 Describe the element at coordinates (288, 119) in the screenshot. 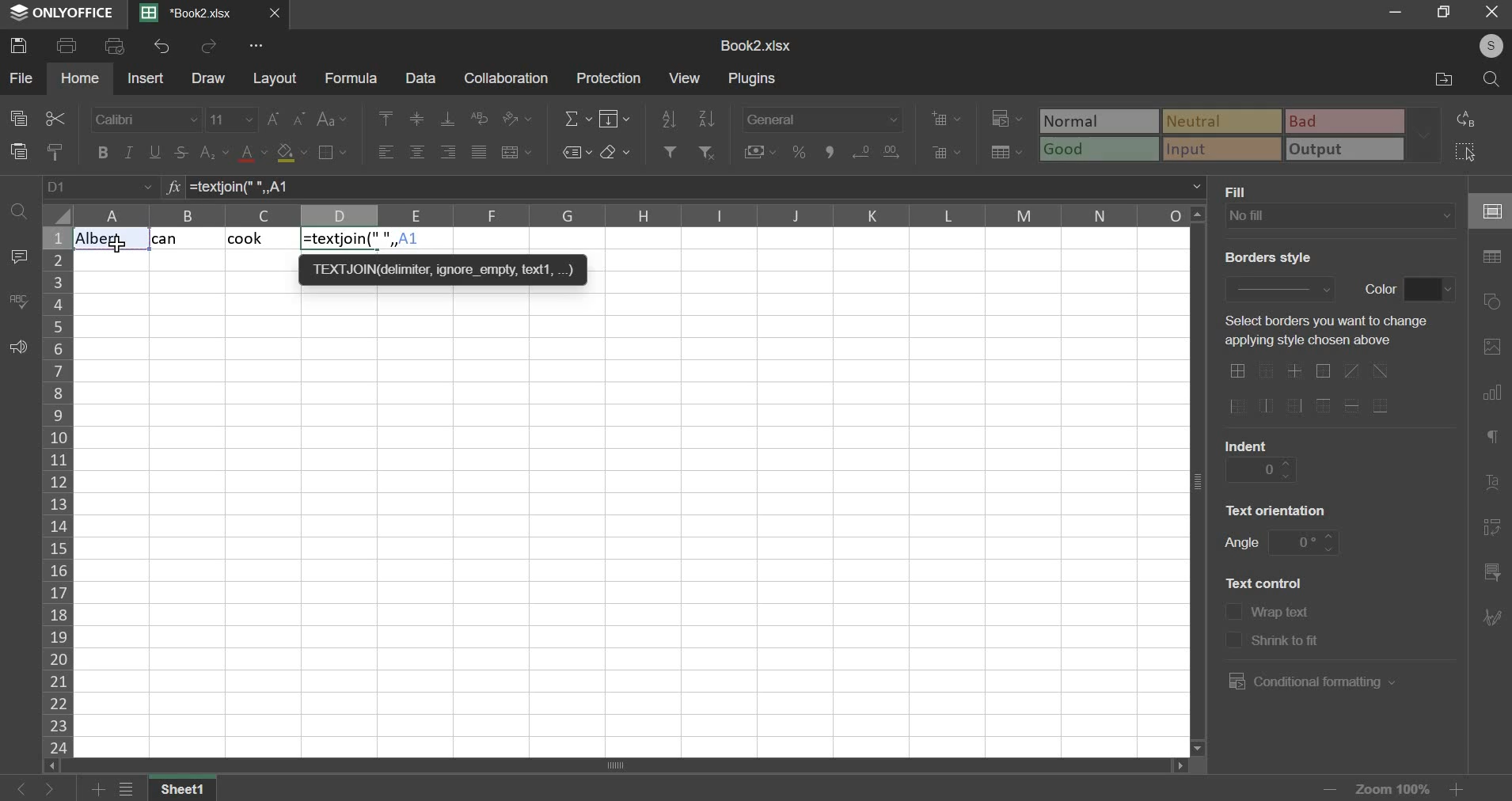

I see `font size change` at that location.